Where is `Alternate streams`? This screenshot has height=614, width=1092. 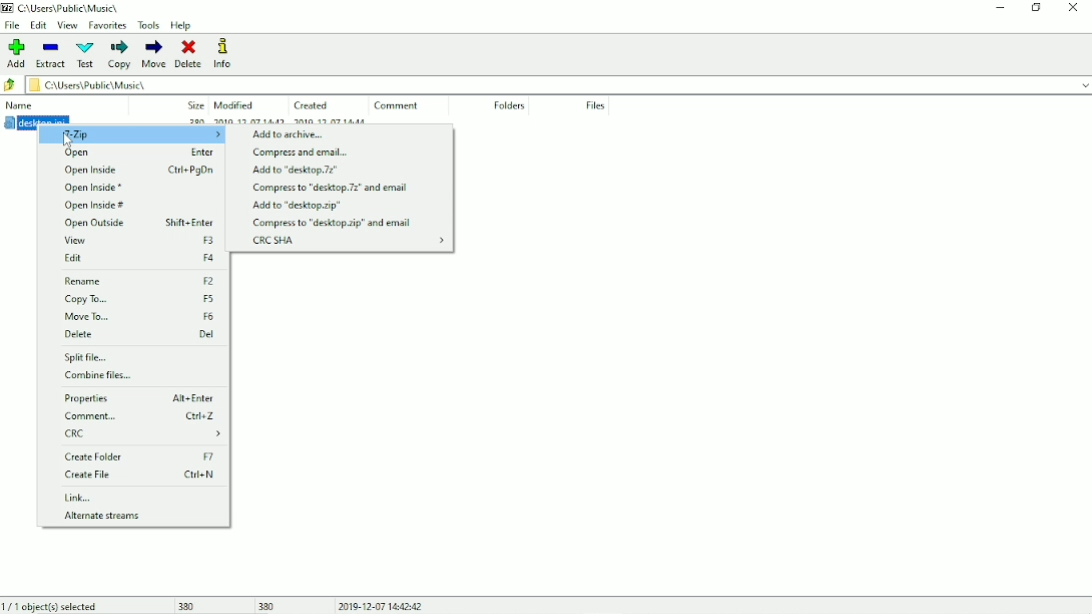
Alternate streams is located at coordinates (102, 515).